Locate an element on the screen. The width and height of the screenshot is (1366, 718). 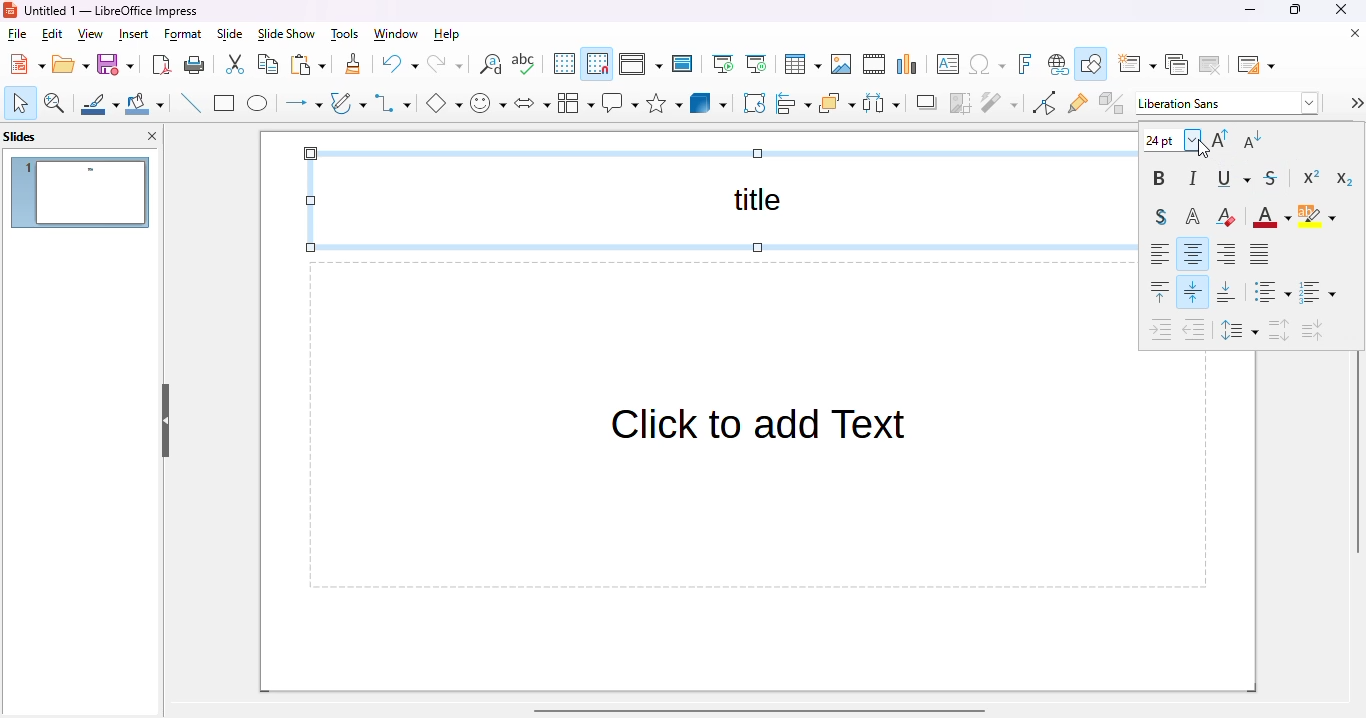
apply outline attribute to font is located at coordinates (1193, 216).